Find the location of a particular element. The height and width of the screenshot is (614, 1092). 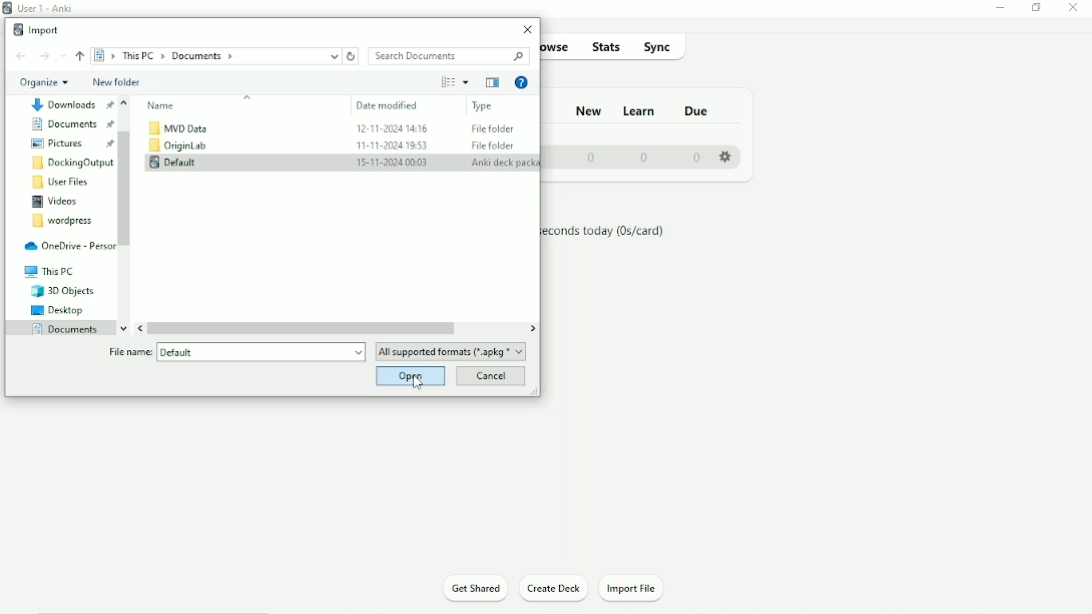

Default is located at coordinates (174, 163).